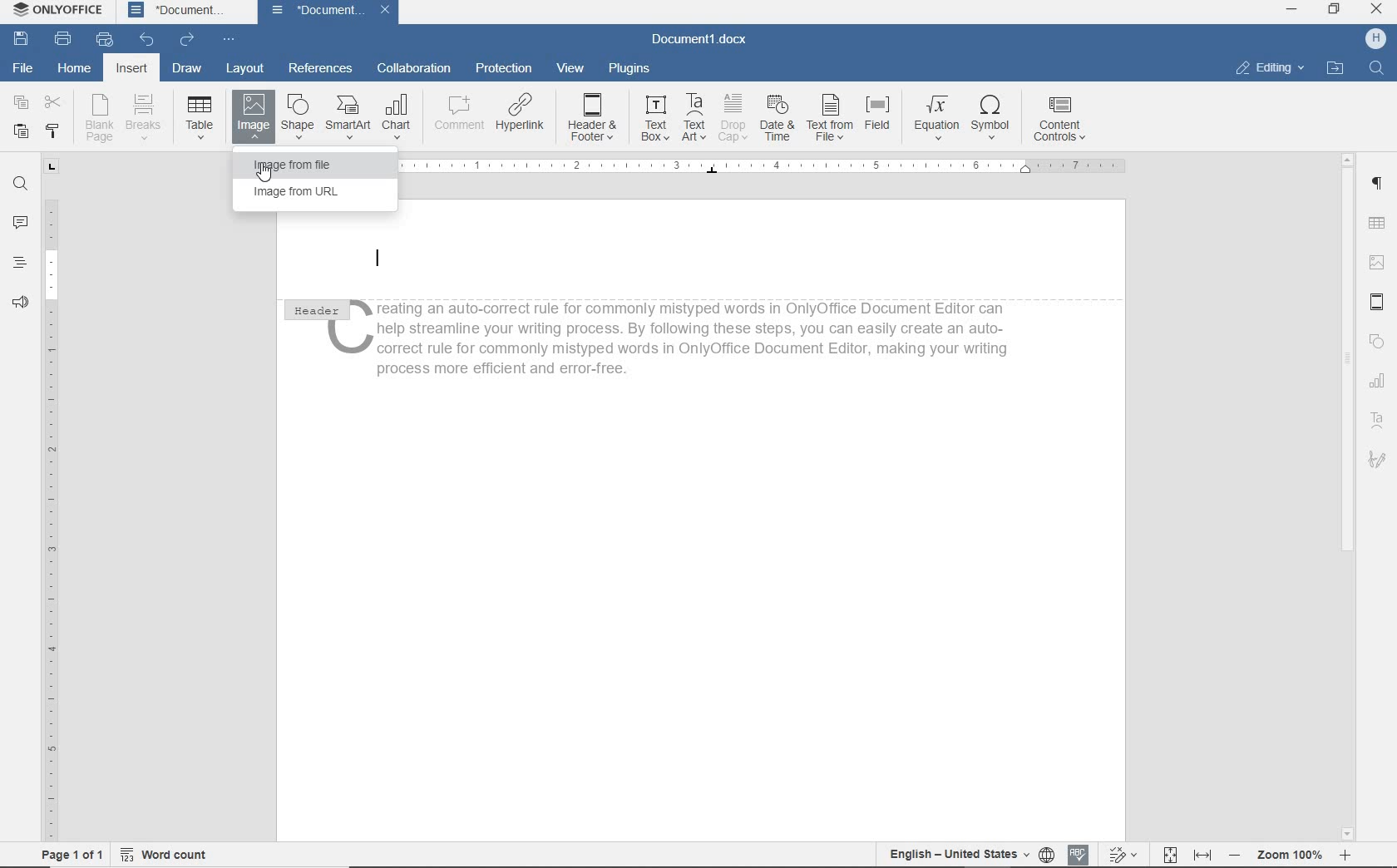  Describe the element at coordinates (265, 174) in the screenshot. I see `Cursor` at that location.